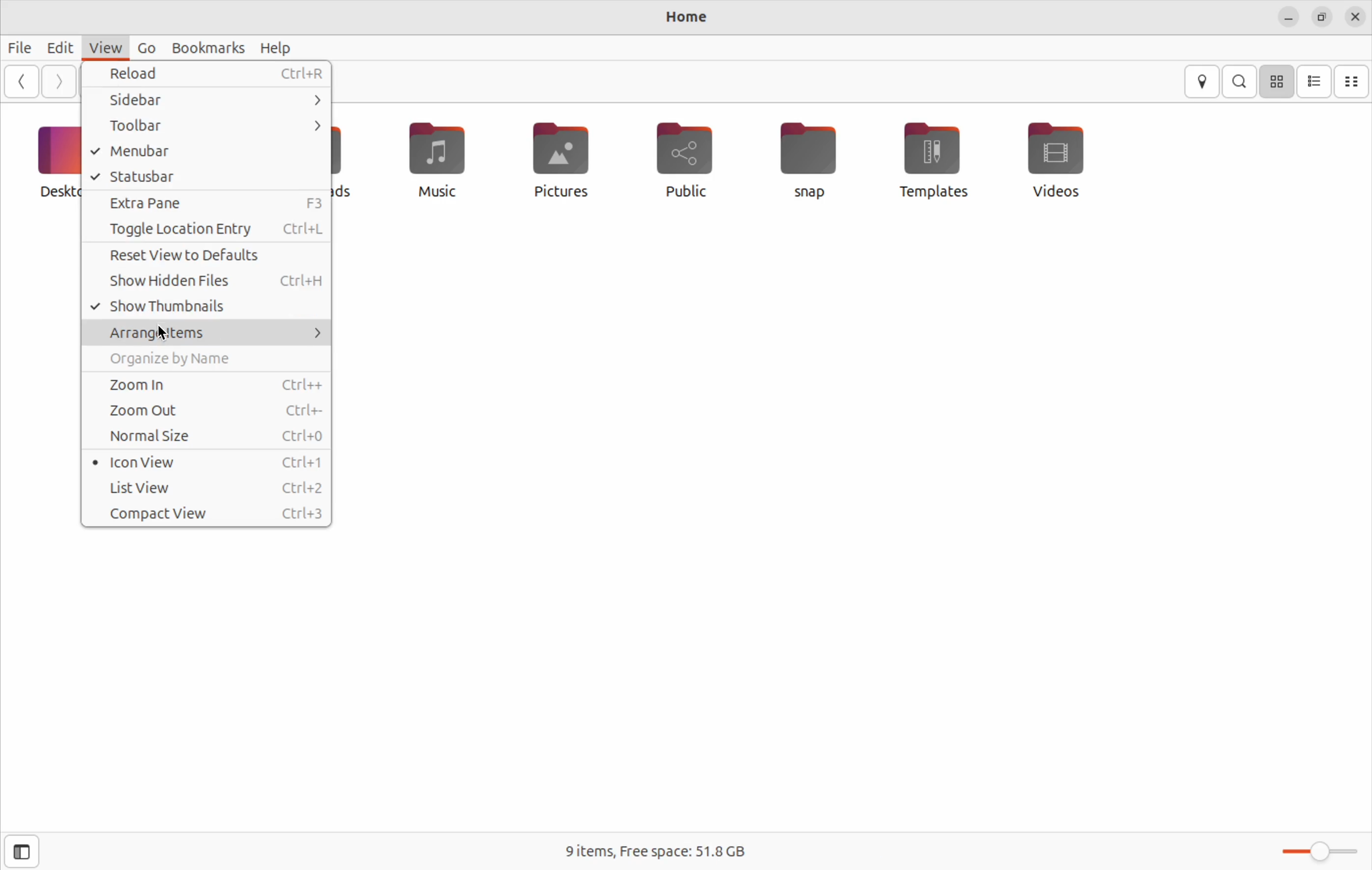 This screenshot has height=870, width=1372. I want to click on icon view, so click(1278, 80).